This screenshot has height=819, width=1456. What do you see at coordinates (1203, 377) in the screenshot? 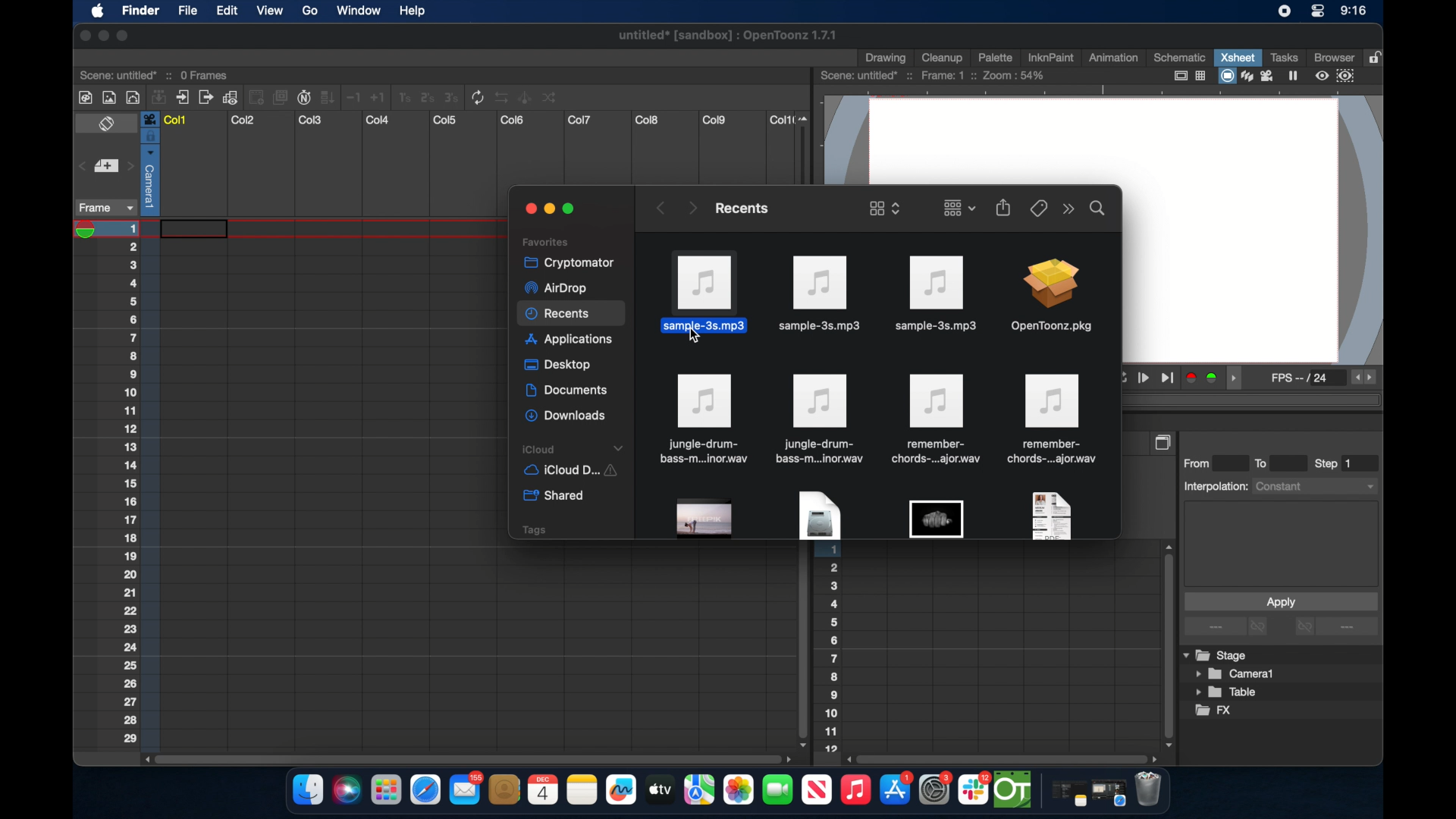
I see `color channels` at bounding box center [1203, 377].